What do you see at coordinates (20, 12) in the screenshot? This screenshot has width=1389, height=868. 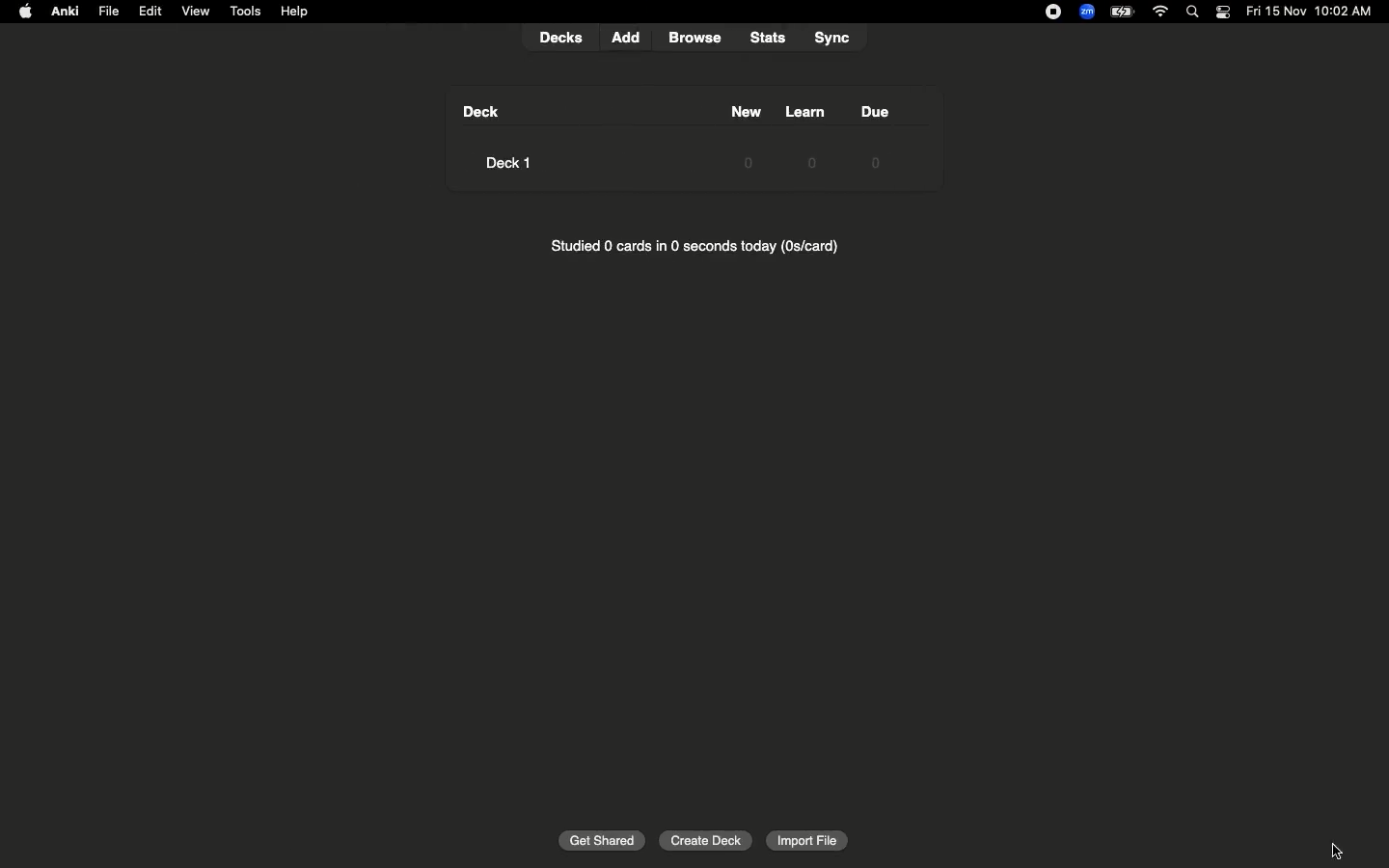 I see `apple logo` at bounding box center [20, 12].